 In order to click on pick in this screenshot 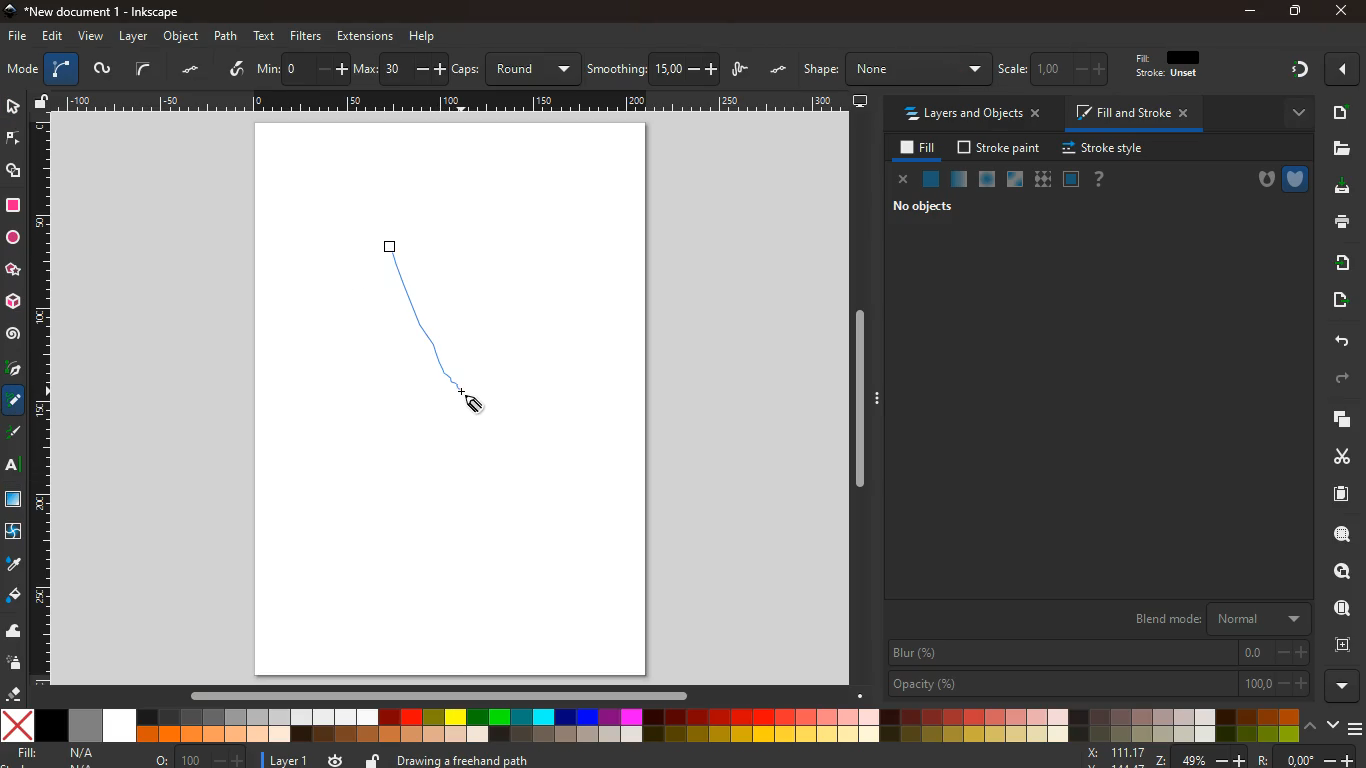, I will do `click(12, 370)`.